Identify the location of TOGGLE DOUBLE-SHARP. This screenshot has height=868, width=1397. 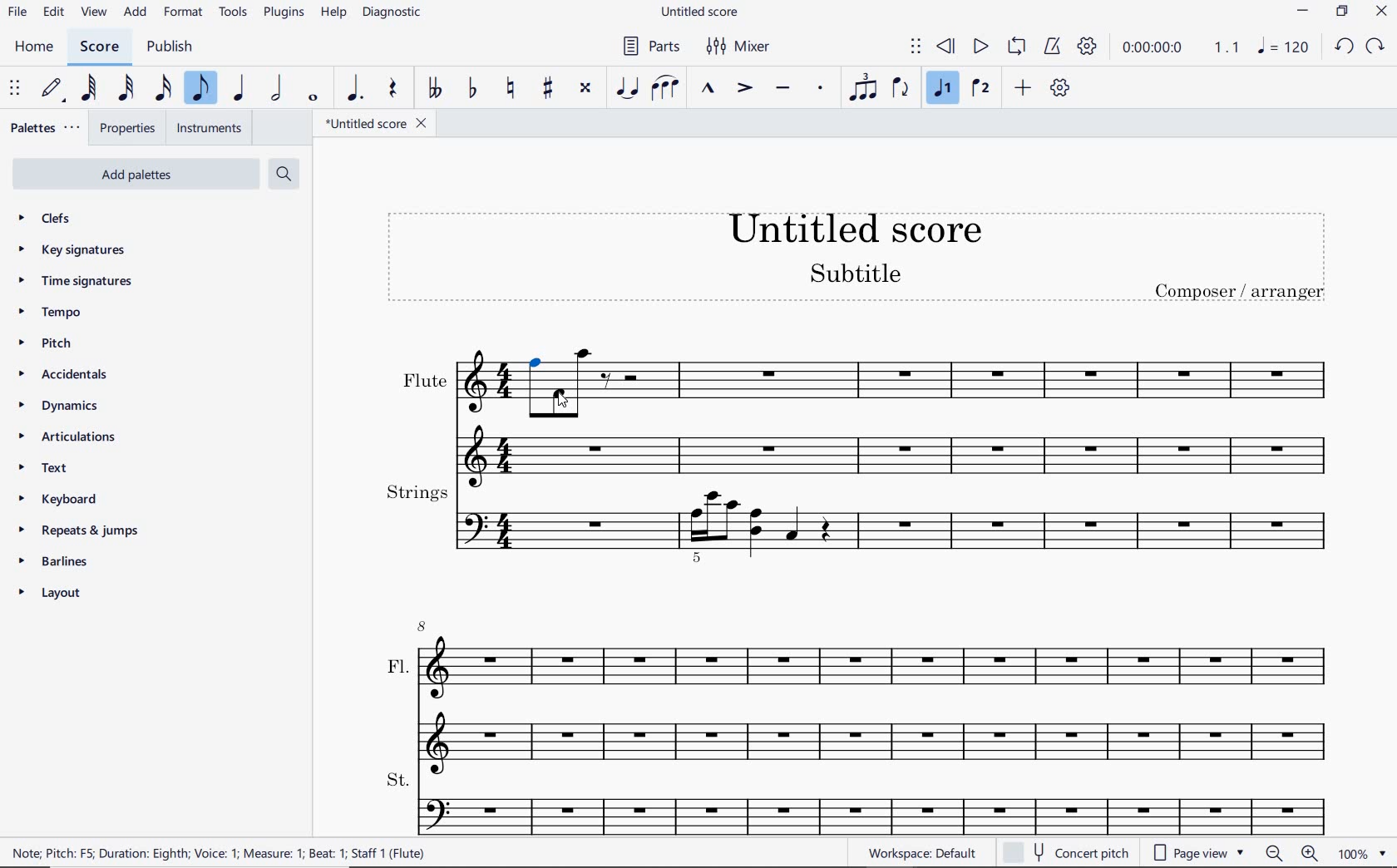
(585, 88).